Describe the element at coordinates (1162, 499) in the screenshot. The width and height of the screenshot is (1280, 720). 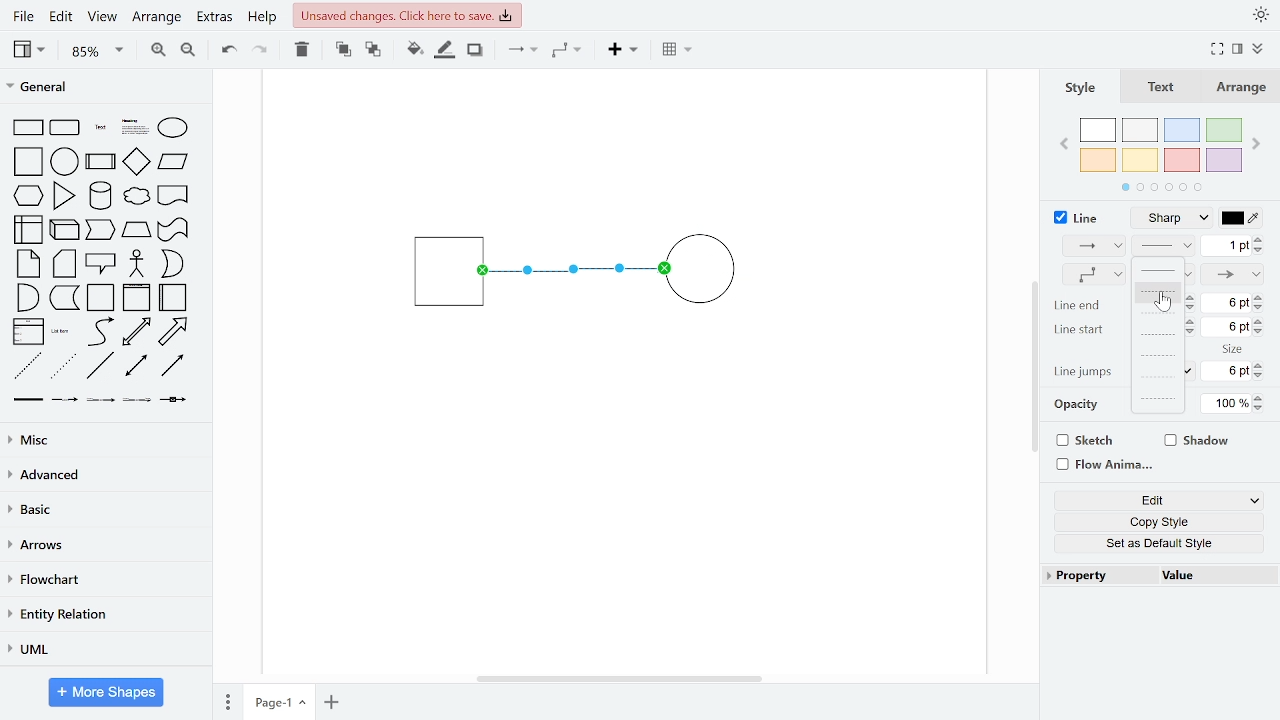
I see `edit` at that location.